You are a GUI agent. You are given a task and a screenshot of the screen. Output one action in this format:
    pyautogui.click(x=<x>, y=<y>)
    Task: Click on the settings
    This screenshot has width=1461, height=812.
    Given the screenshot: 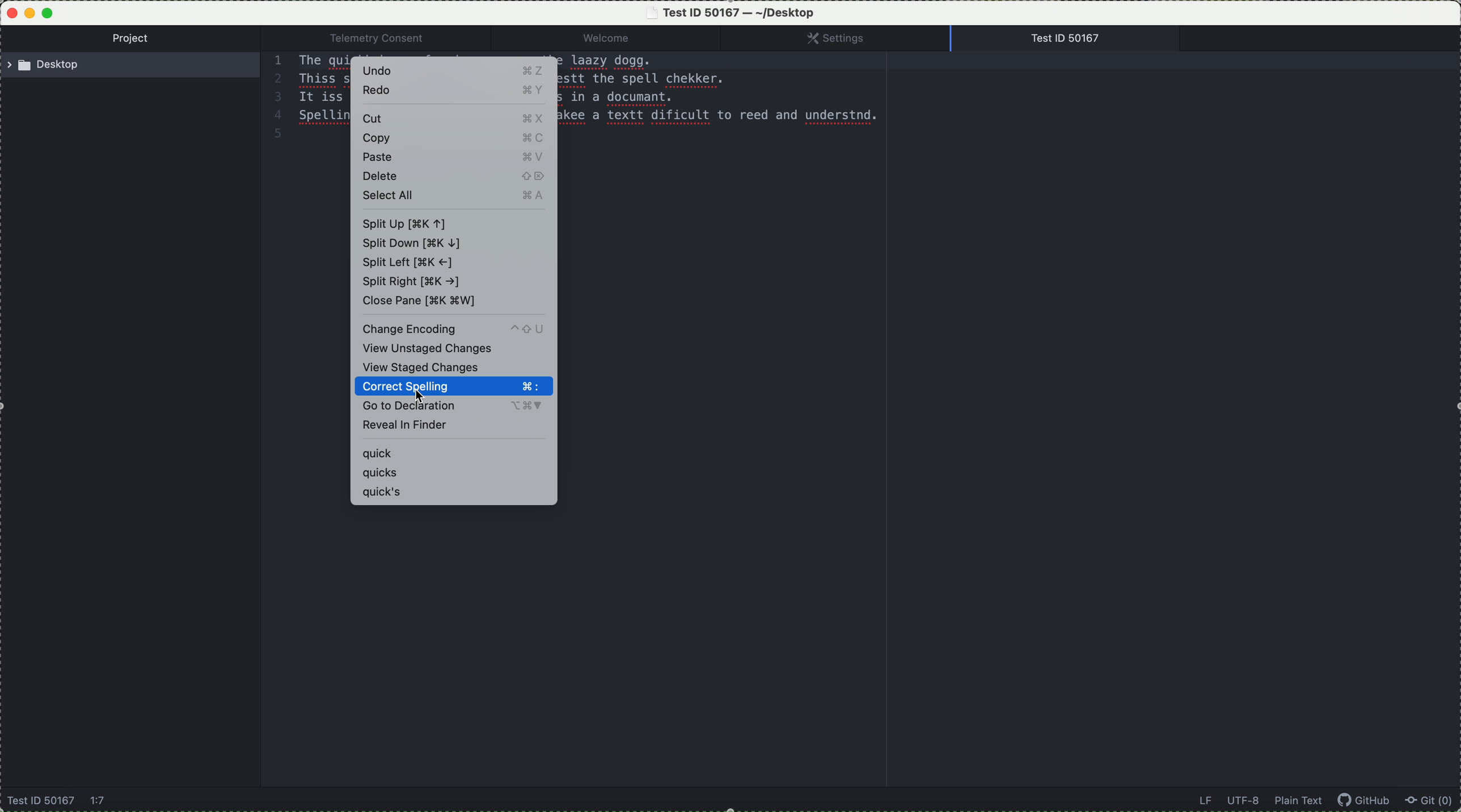 What is the action you would take?
    pyautogui.click(x=847, y=39)
    